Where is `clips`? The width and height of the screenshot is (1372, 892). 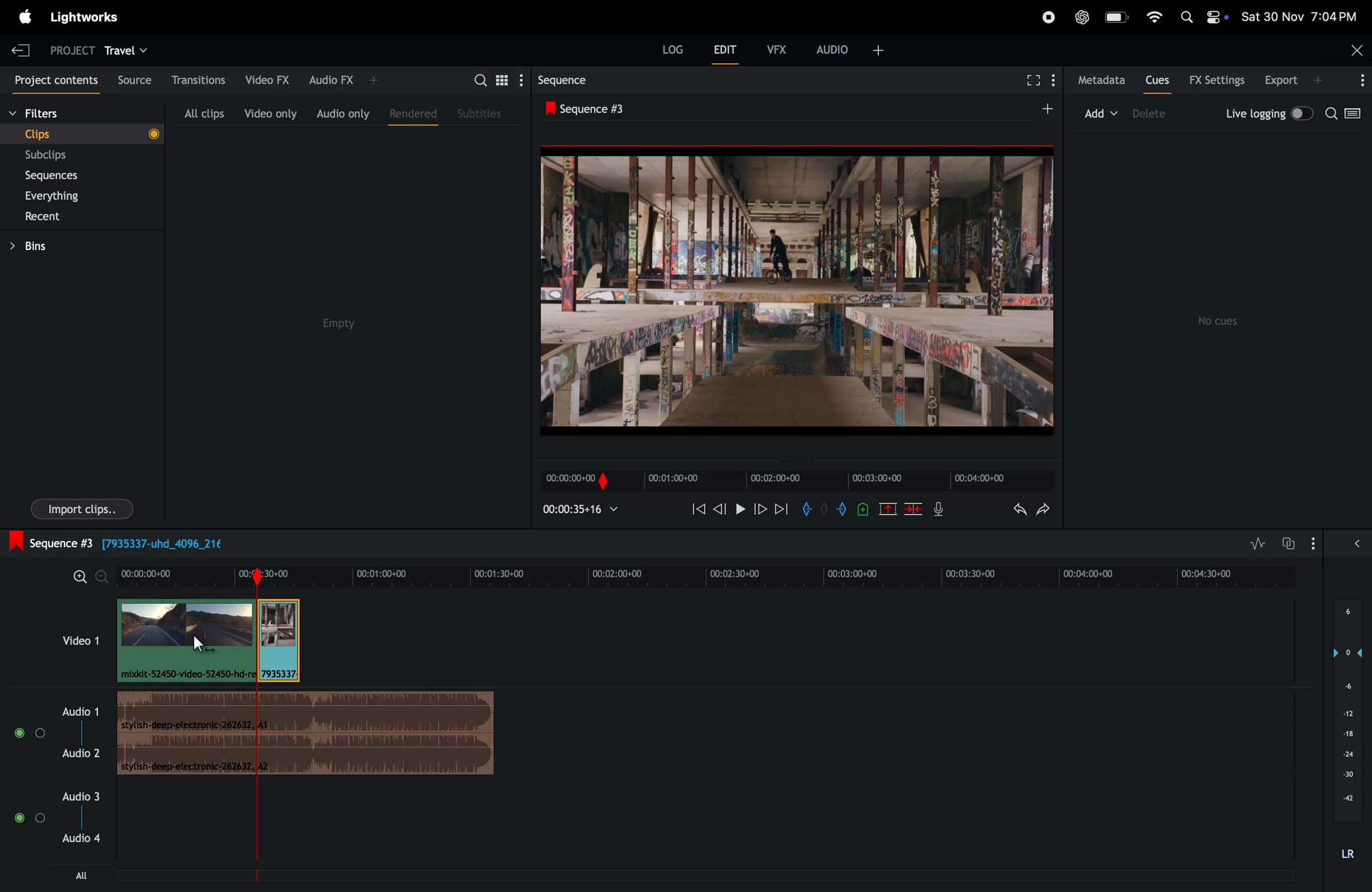
clips is located at coordinates (80, 133).